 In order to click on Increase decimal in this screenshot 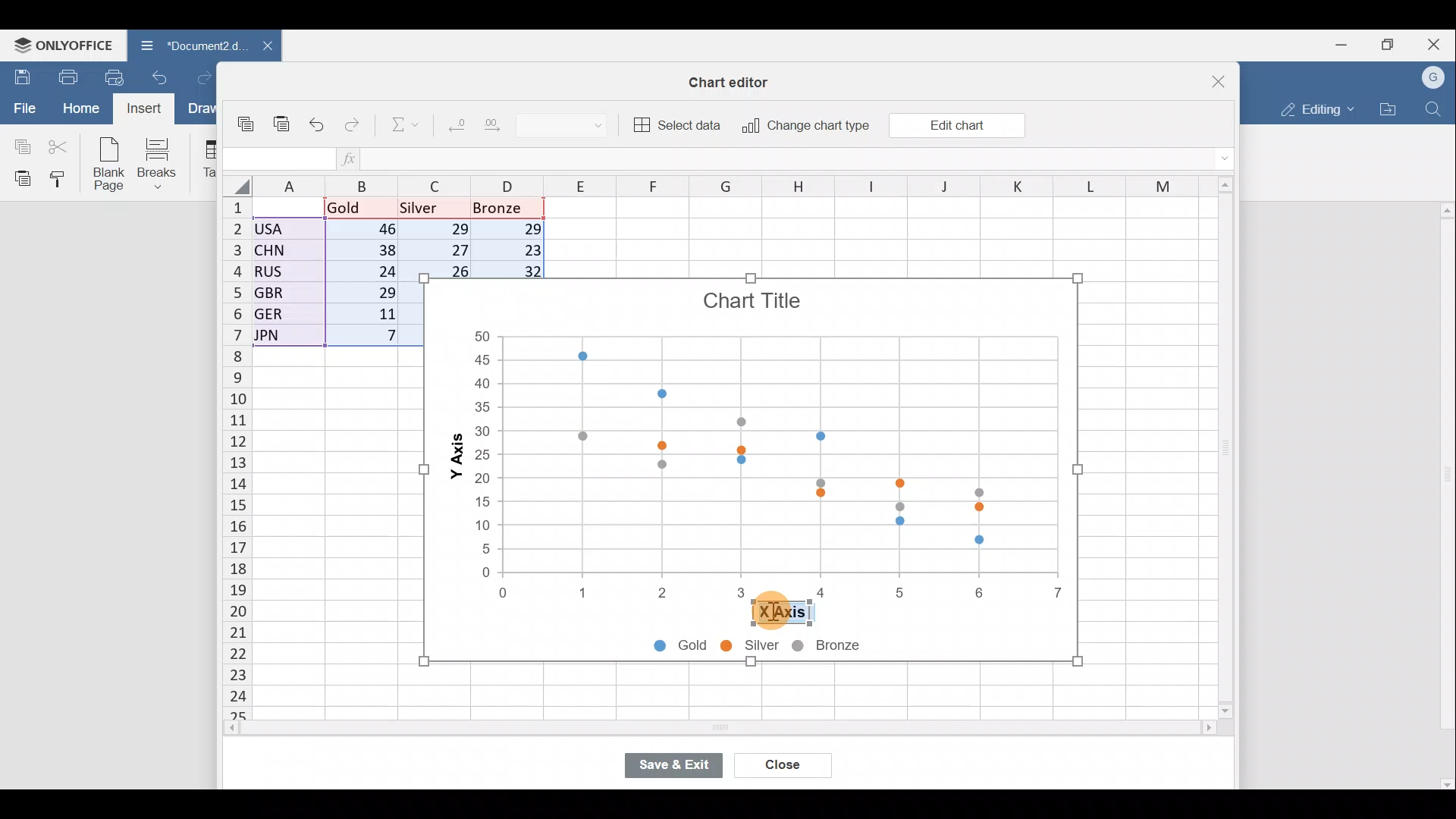, I will do `click(500, 129)`.